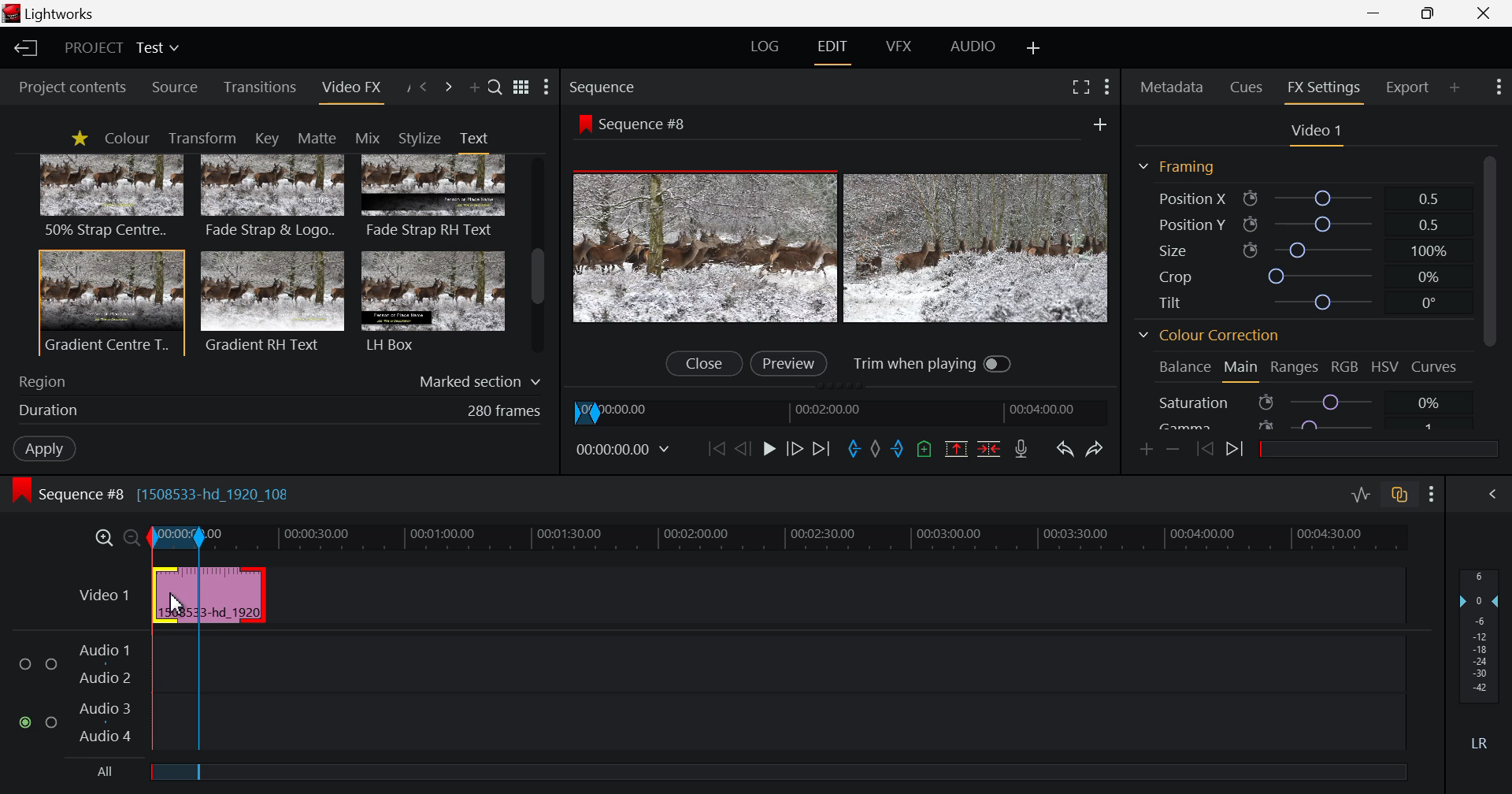 The width and height of the screenshot is (1512, 794). Describe the element at coordinates (1021, 451) in the screenshot. I see `Record voiceover` at that location.